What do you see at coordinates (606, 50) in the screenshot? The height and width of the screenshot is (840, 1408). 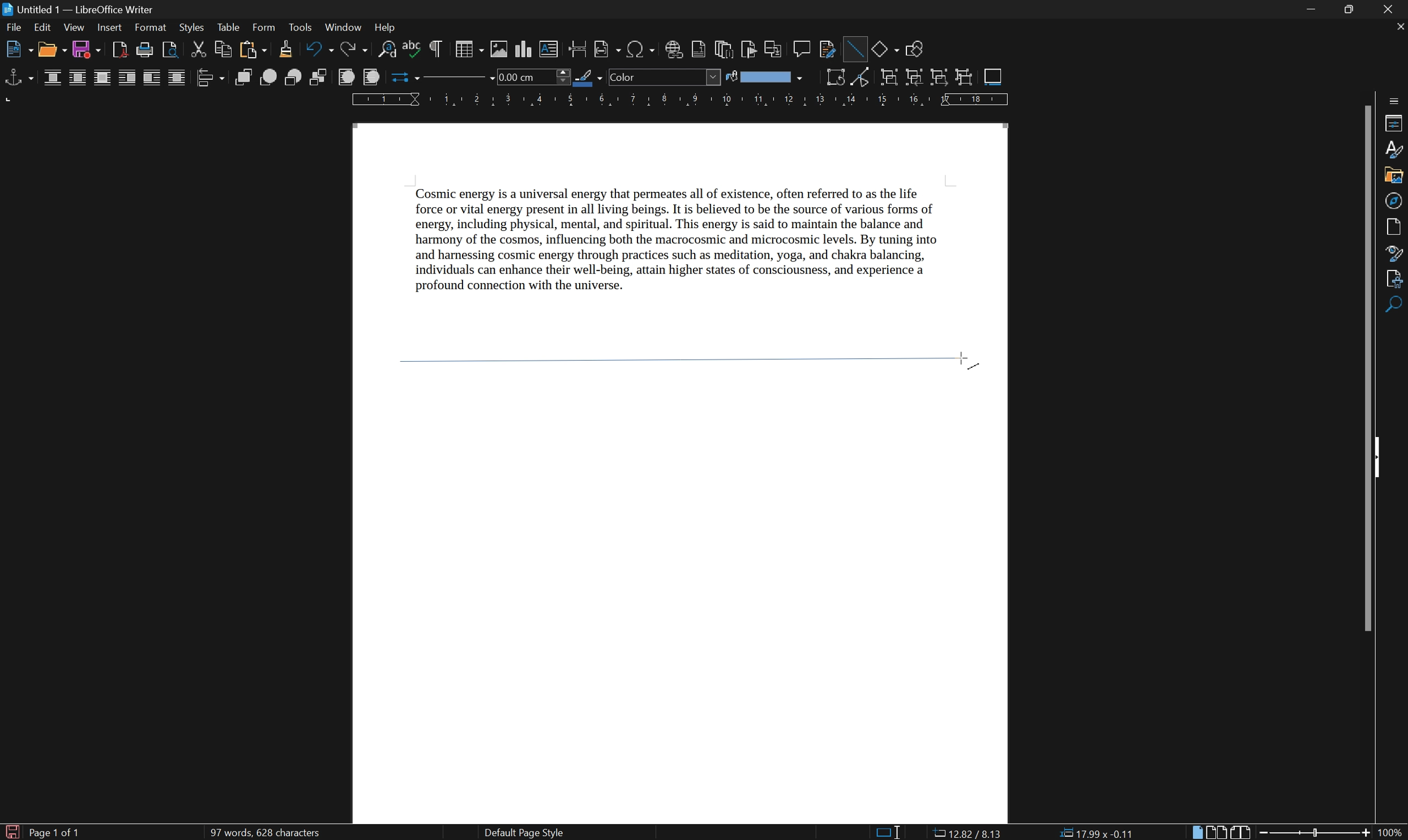 I see `insert field` at bounding box center [606, 50].